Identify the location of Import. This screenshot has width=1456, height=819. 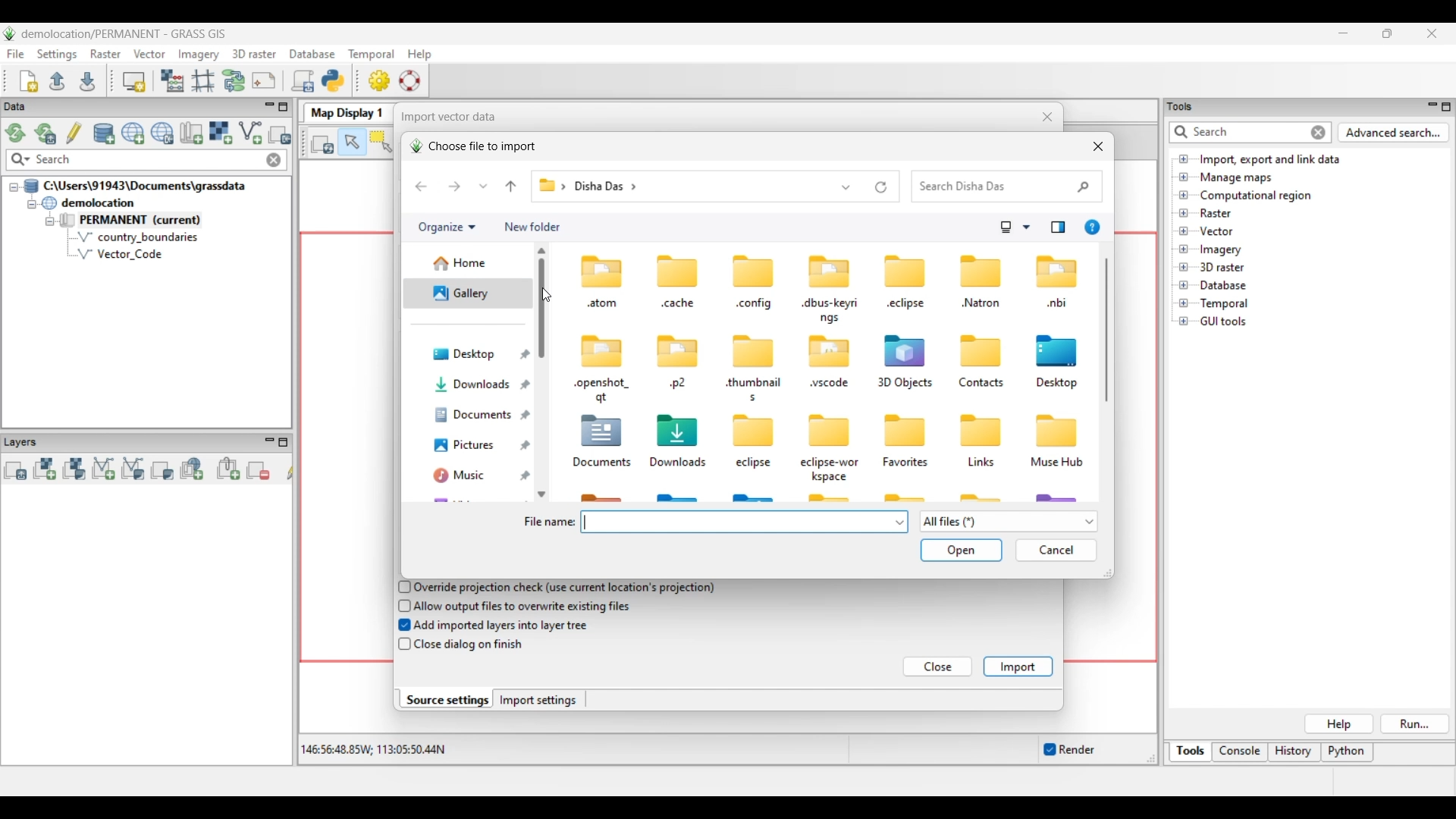
(1018, 667).